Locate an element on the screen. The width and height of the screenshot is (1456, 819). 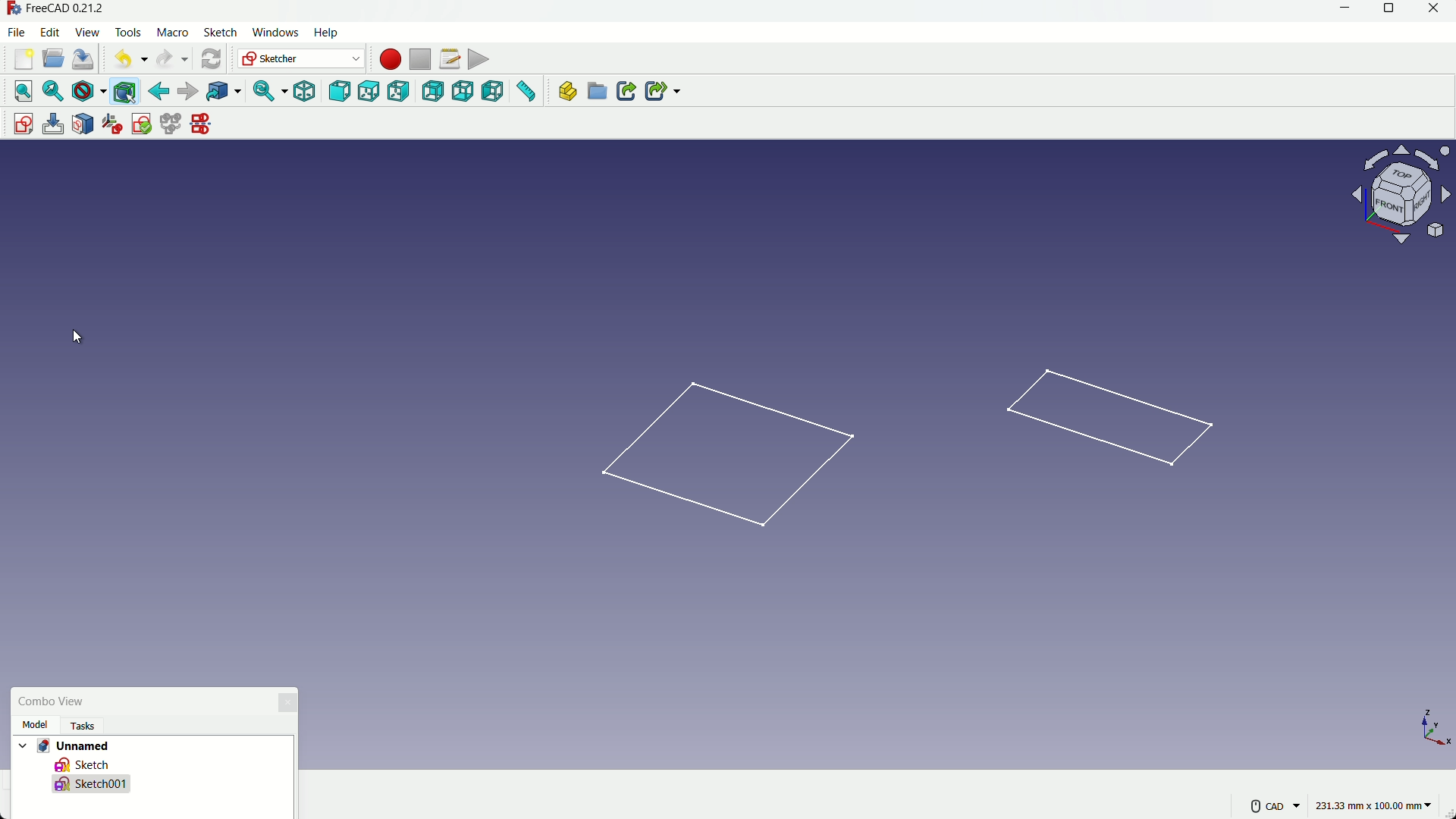
combo view box is located at coordinates (139, 701).